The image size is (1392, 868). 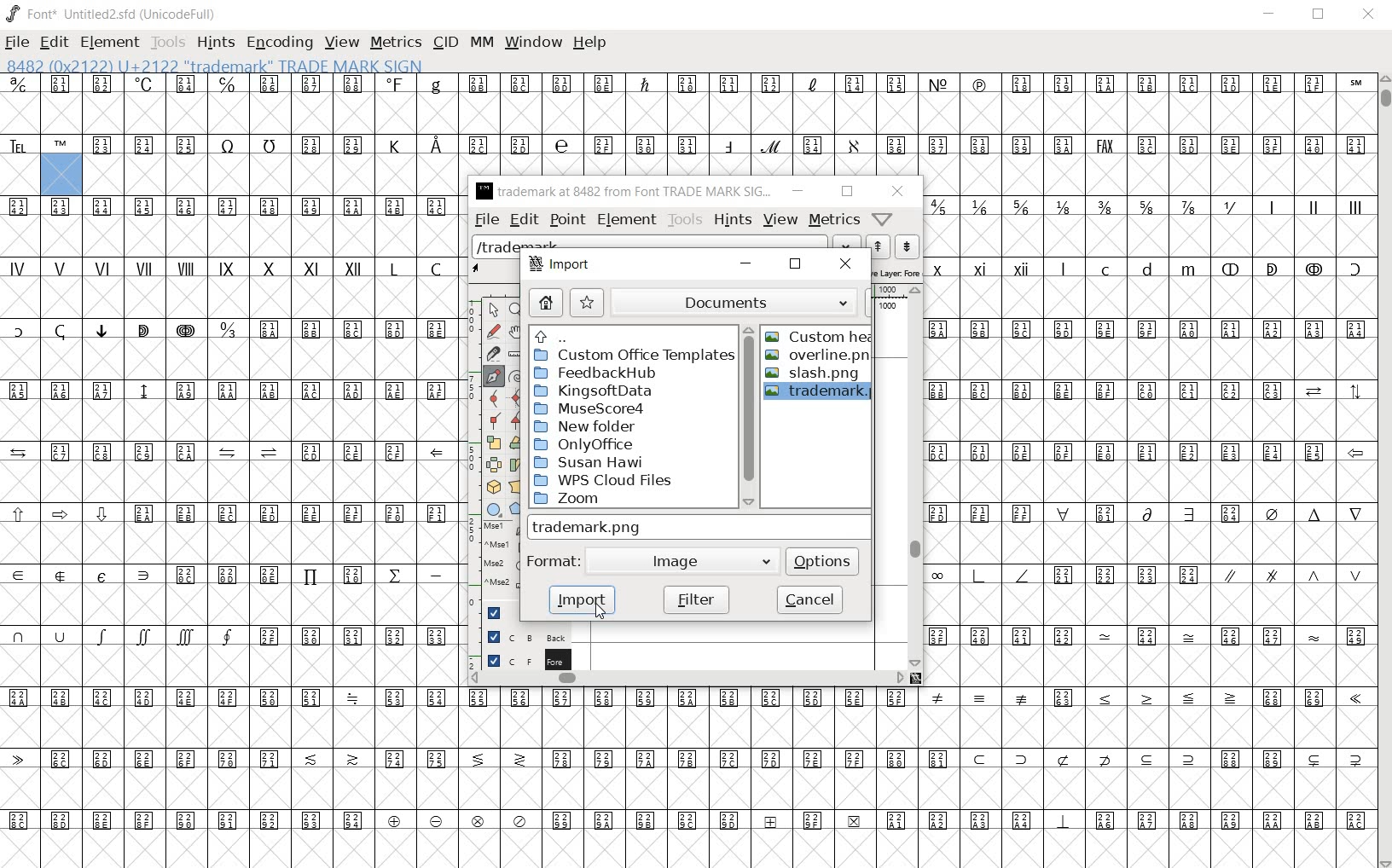 I want to click on star, so click(x=586, y=304).